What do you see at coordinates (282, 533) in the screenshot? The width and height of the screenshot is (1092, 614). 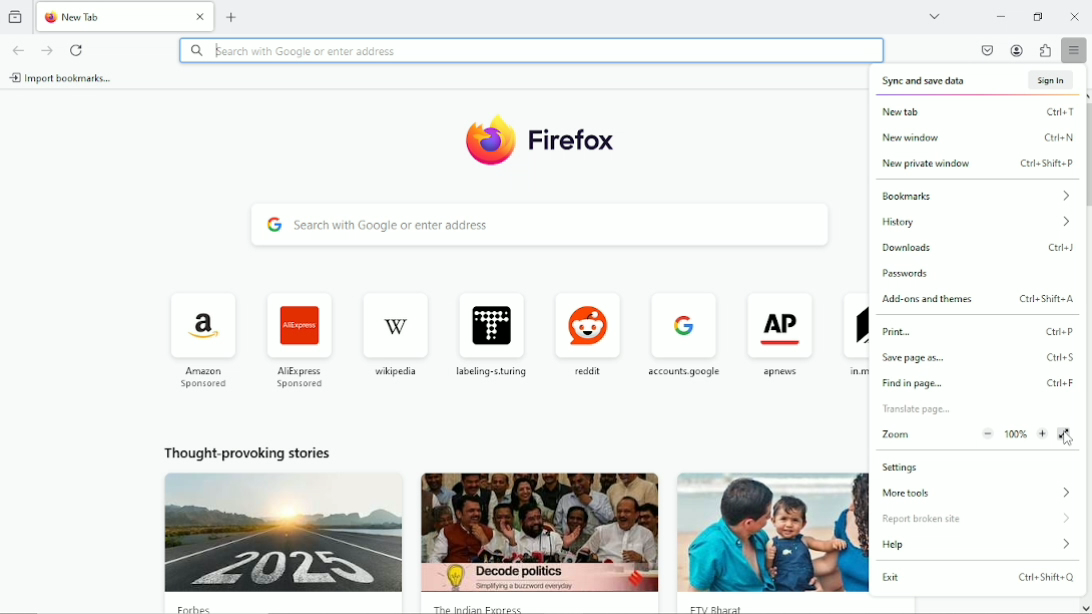 I see `image` at bounding box center [282, 533].